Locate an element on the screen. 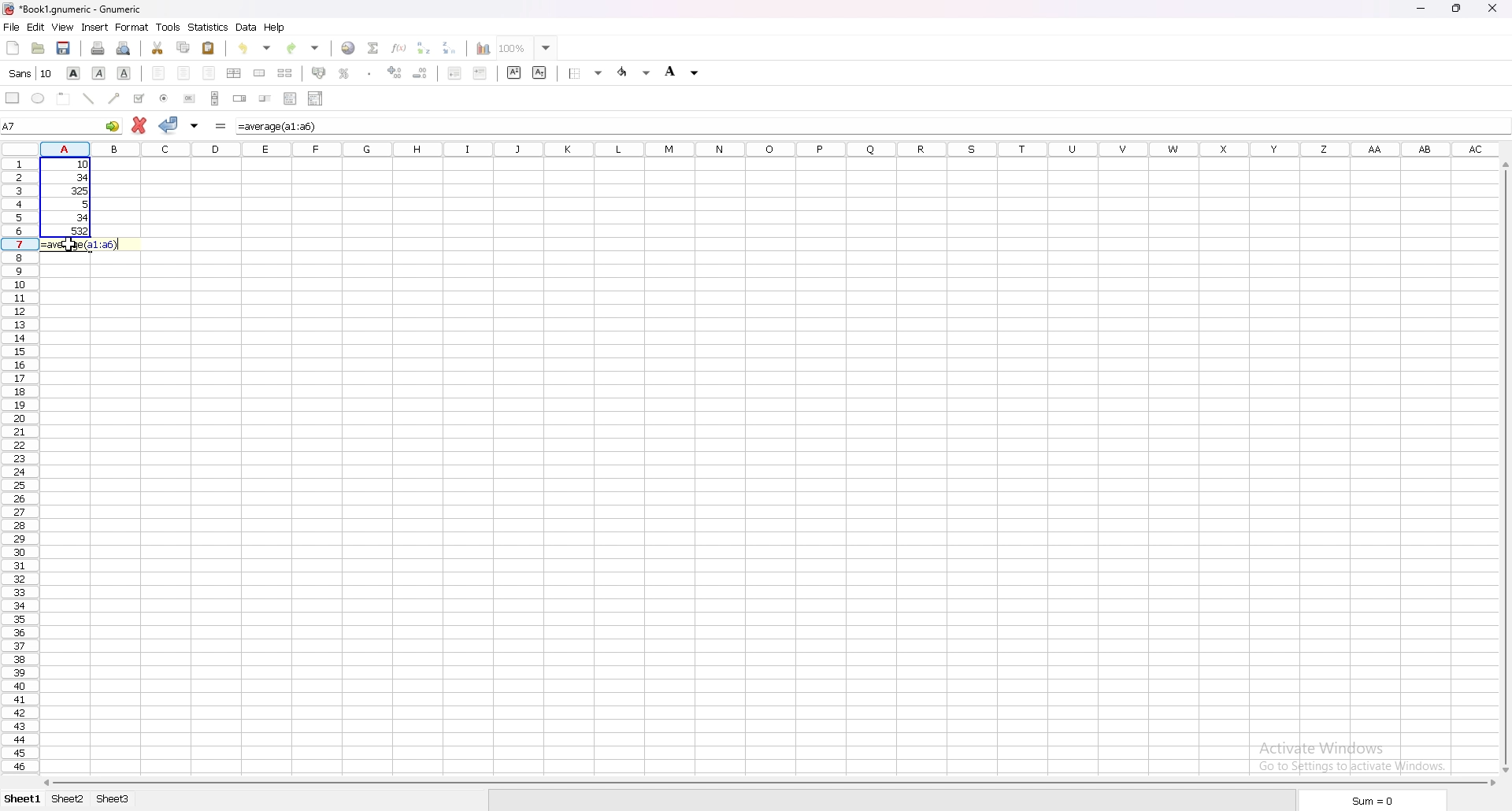  paste is located at coordinates (209, 47).